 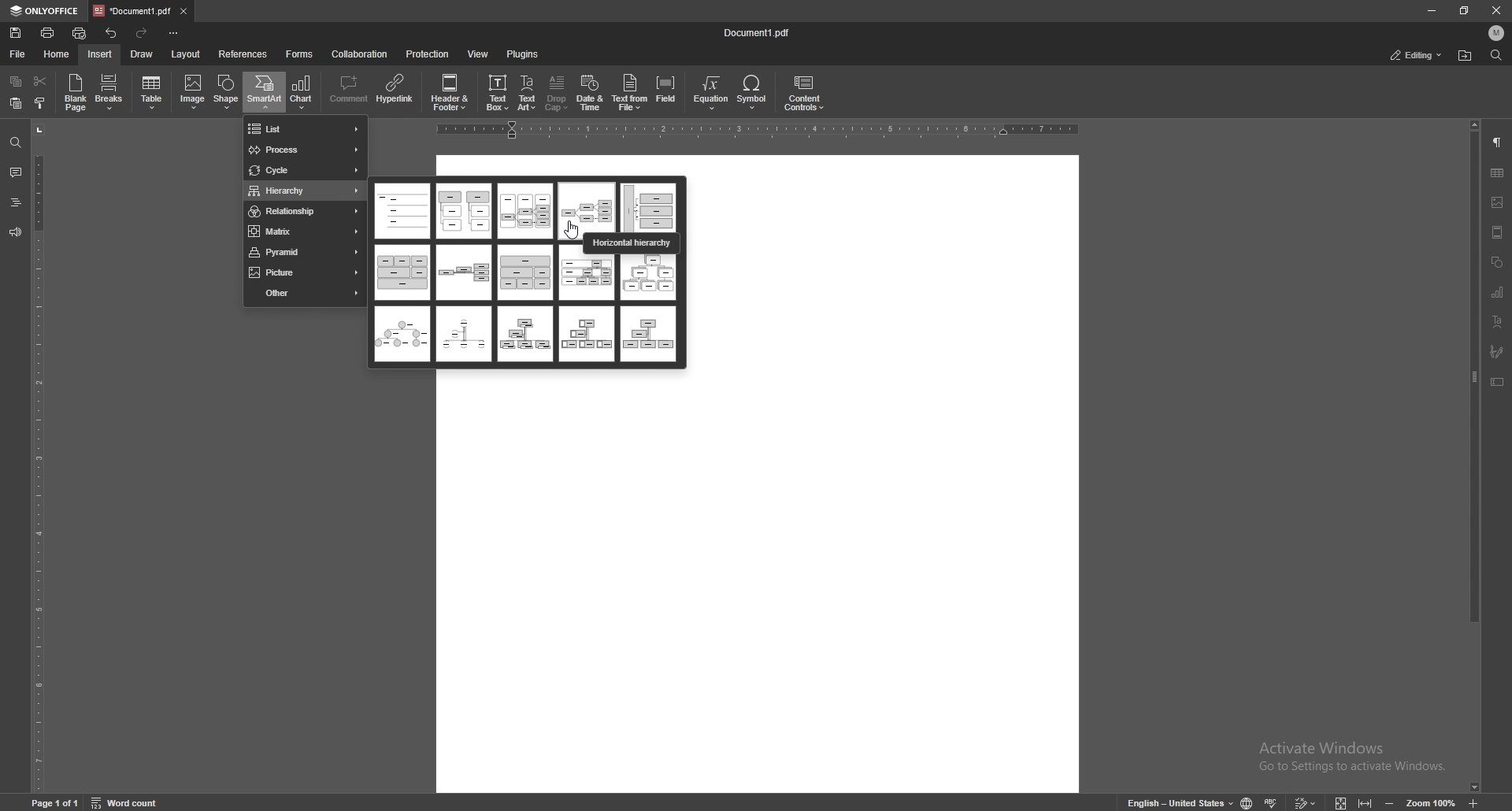 I want to click on drop cap, so click(x=558, y=92).